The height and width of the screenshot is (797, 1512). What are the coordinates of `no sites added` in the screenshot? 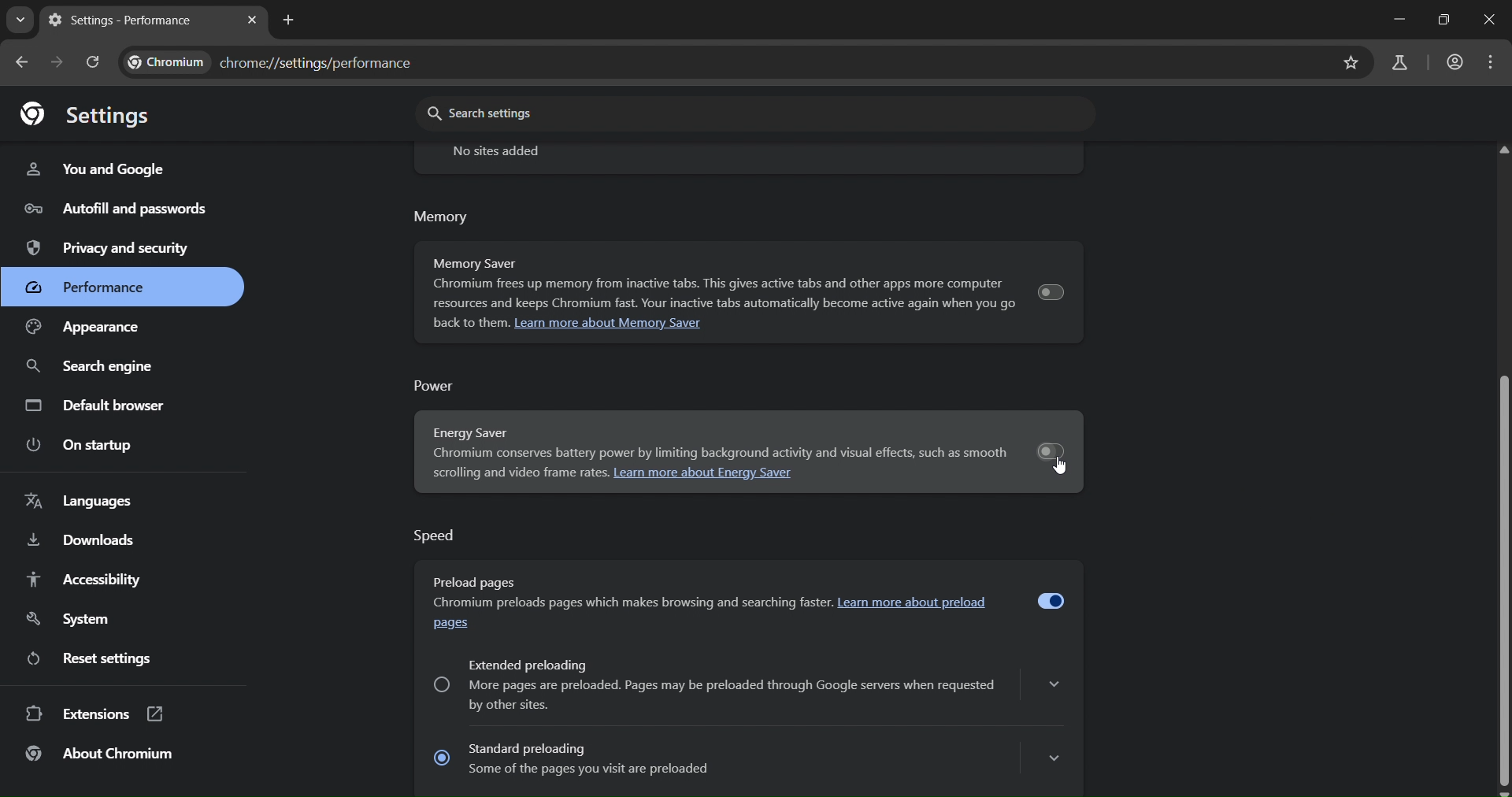 It's located at (506, 152).